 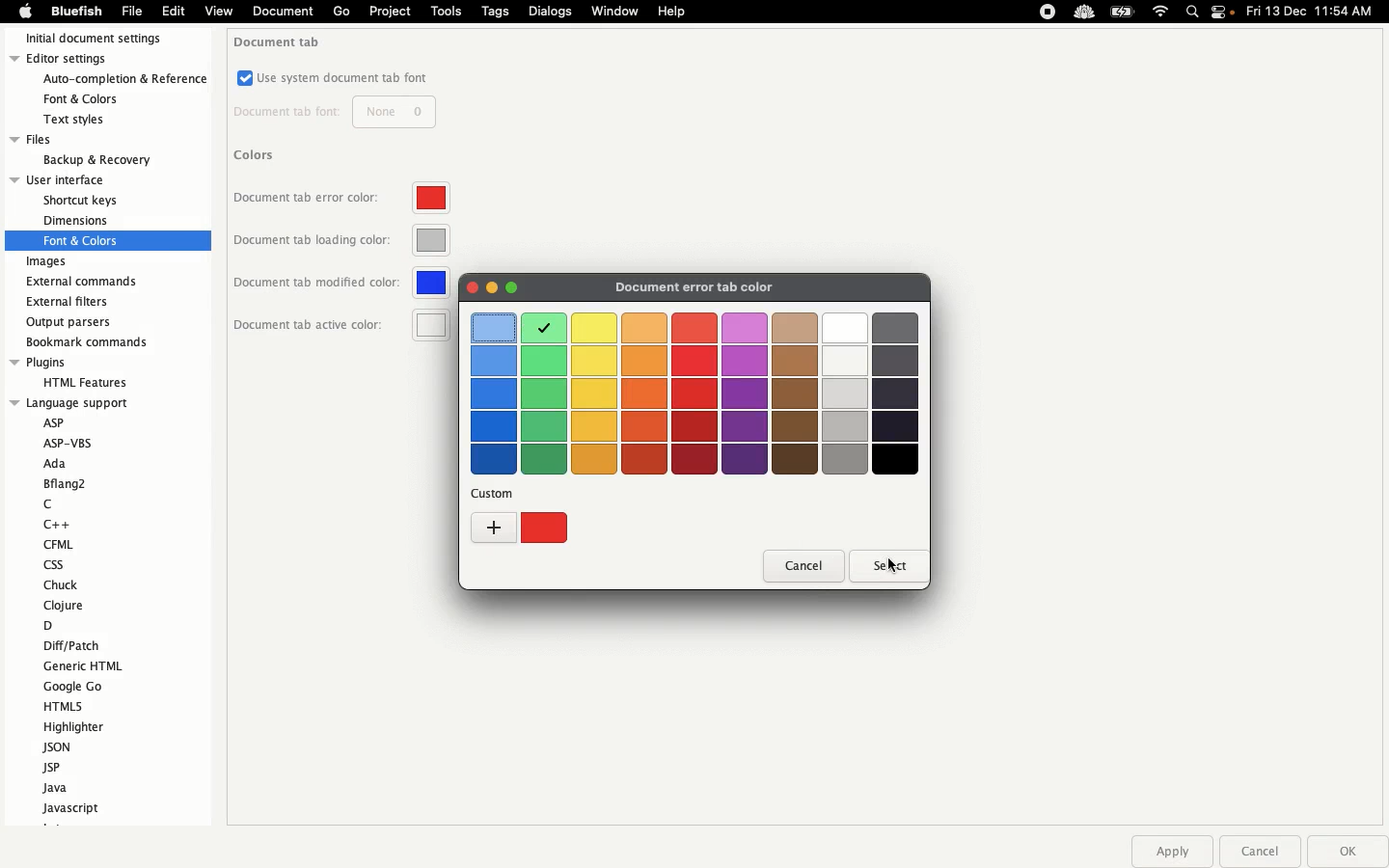 What do you see at coordinates (334, 113) in the screenshot?
I see `Document tab font` at bounding box center [334, 113].